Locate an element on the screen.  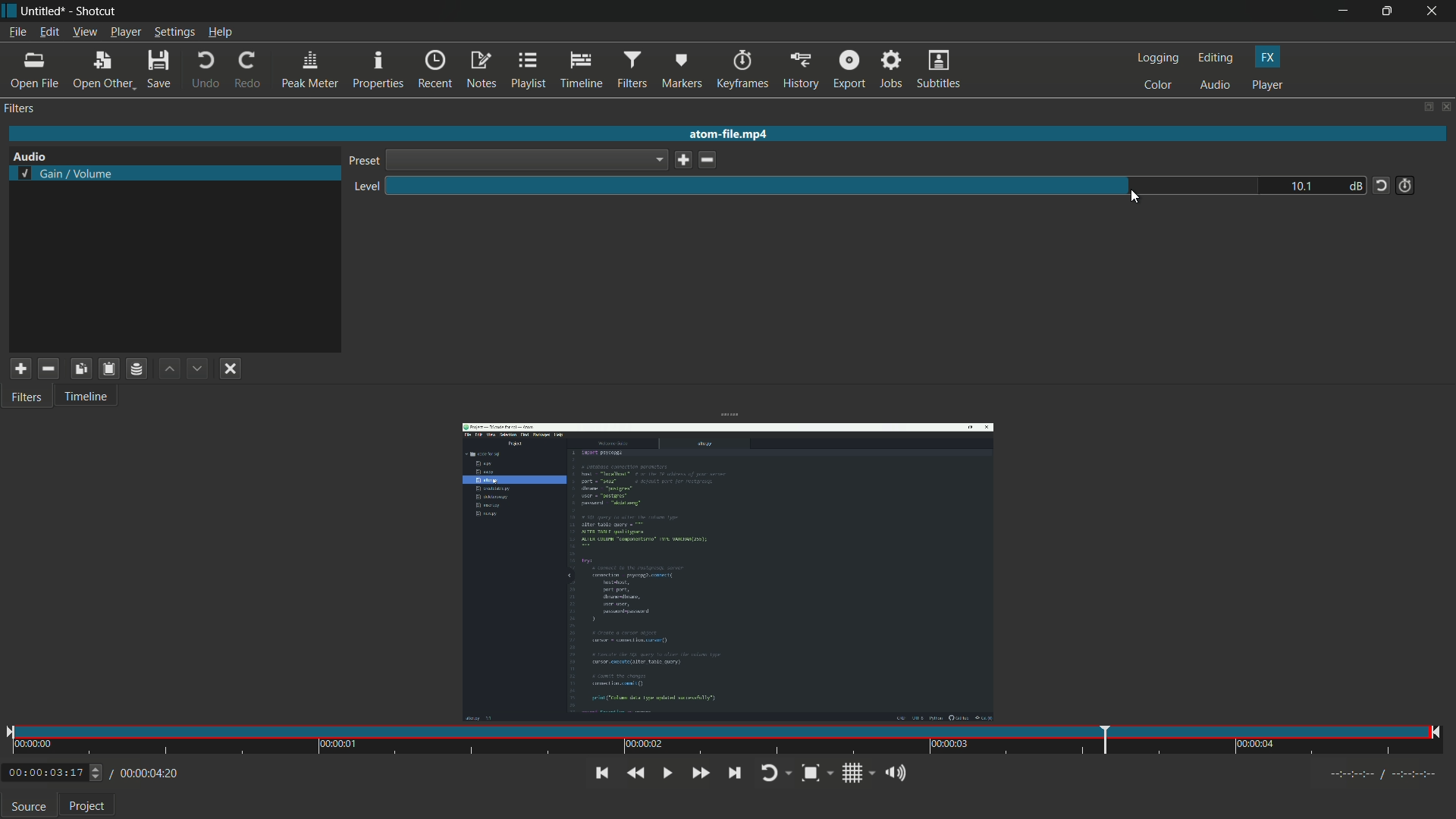
Timecodes is located at coordinates (1385, 777).